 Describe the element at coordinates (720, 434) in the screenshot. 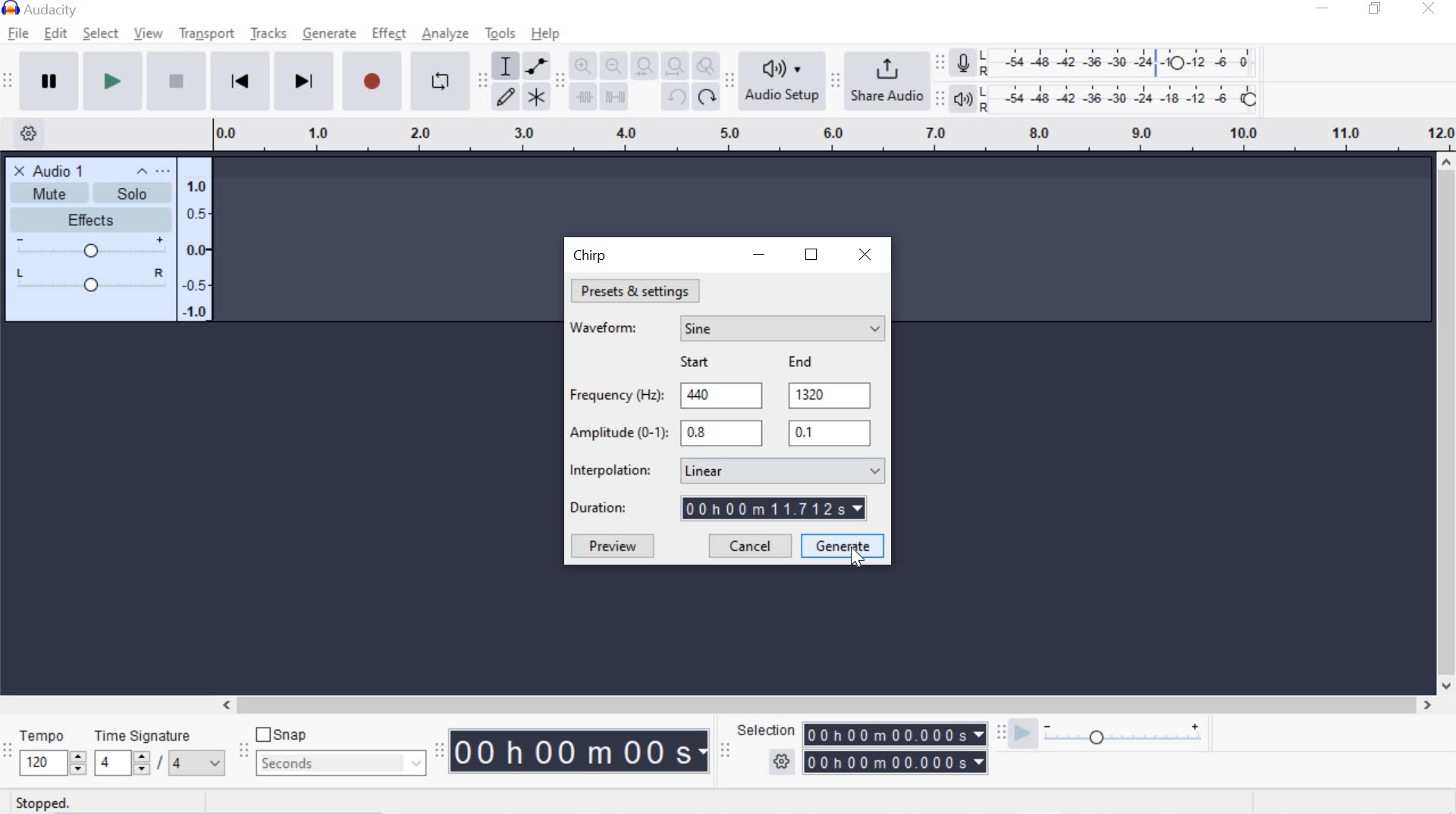

I see `Amplitude field` at that location.